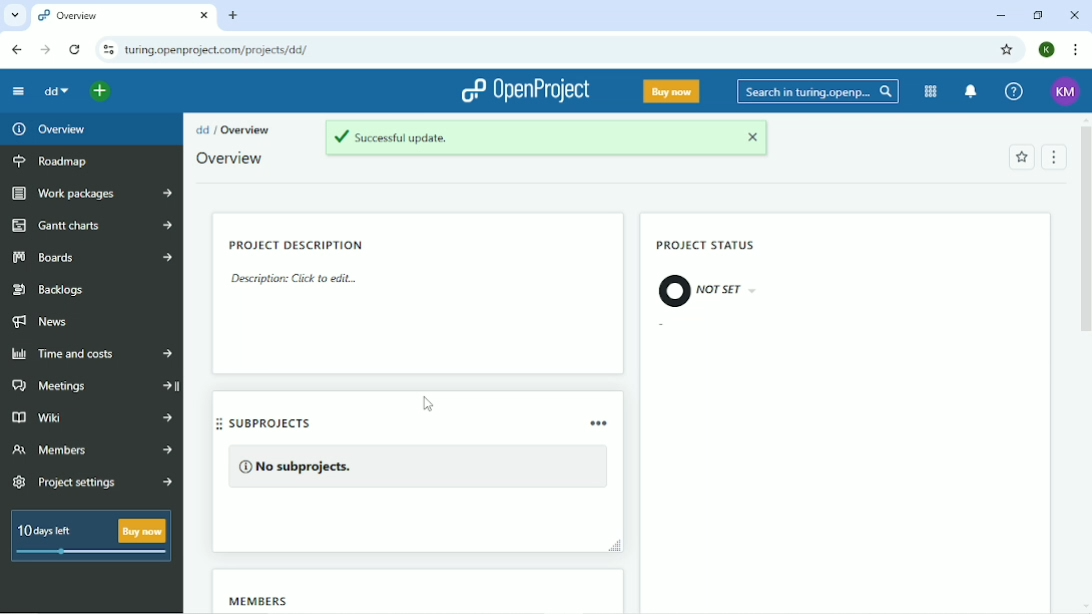 The height and width of the screenshot is (614, 1092). I want to click on No subprojects, so click(420, 466).